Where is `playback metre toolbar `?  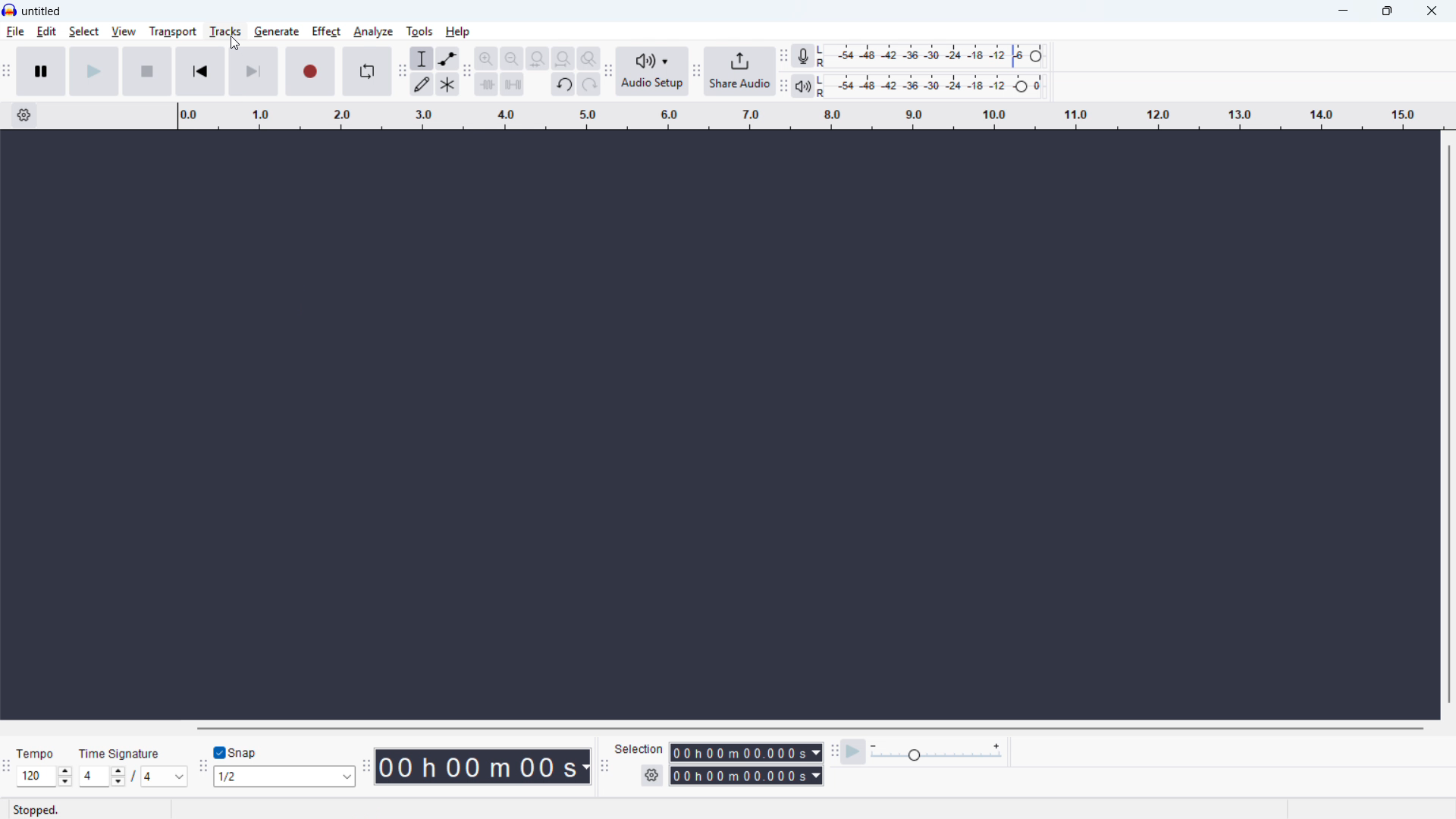 playback metre toolbar  is located at coordinates (802, 85).